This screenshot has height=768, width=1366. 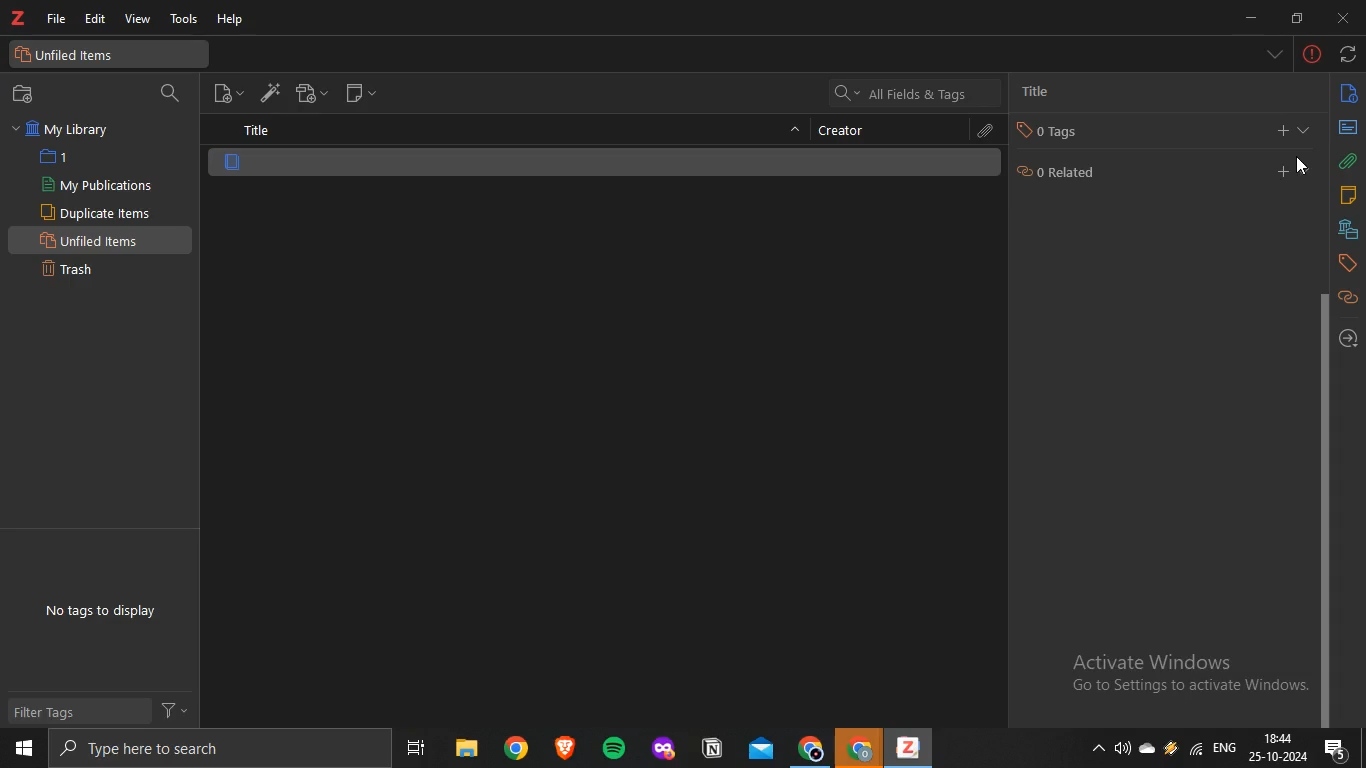 I want to click on chrome, so click(x=807, y=747).